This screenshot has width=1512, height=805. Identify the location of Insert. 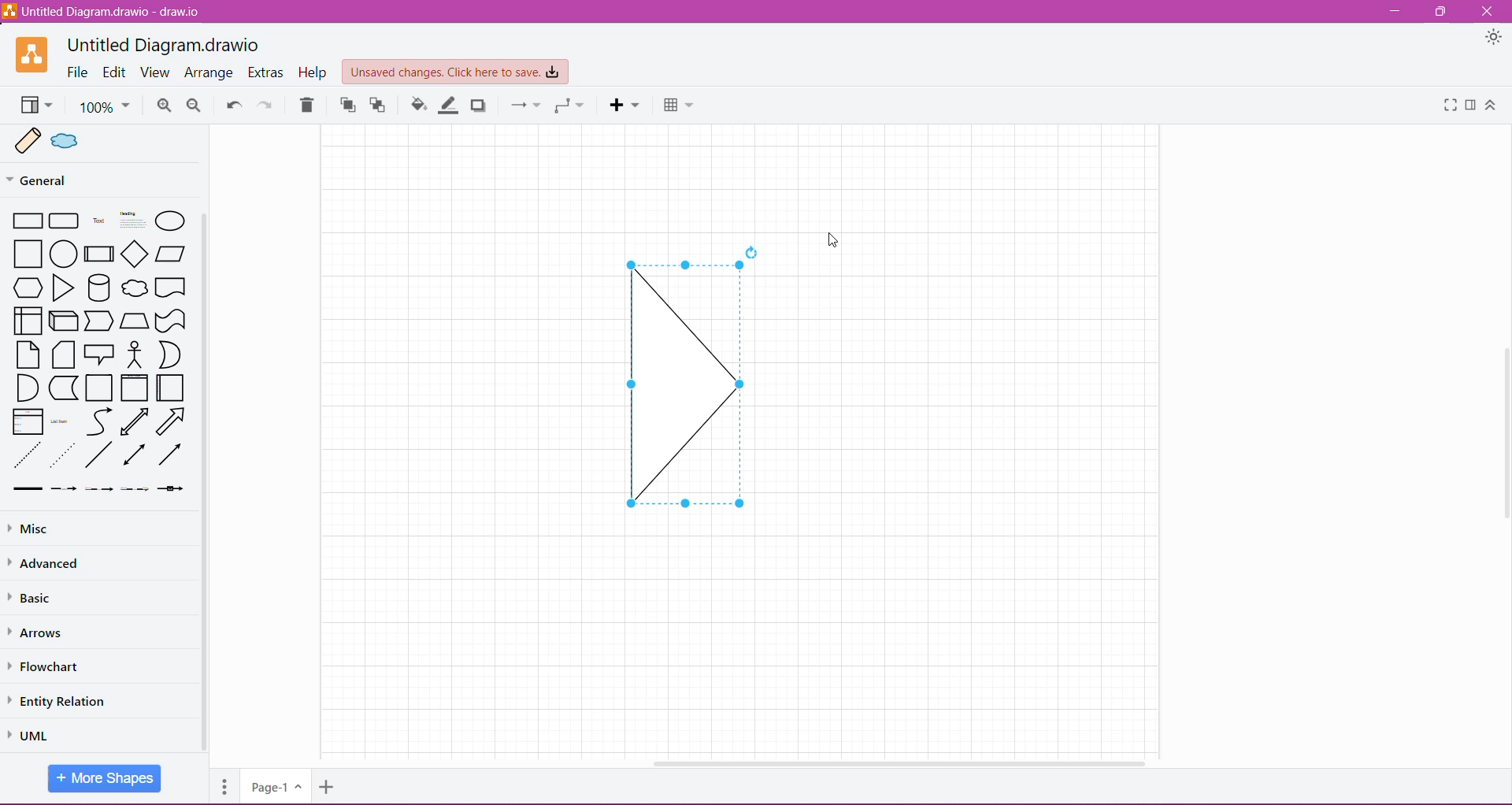
(625, 106).